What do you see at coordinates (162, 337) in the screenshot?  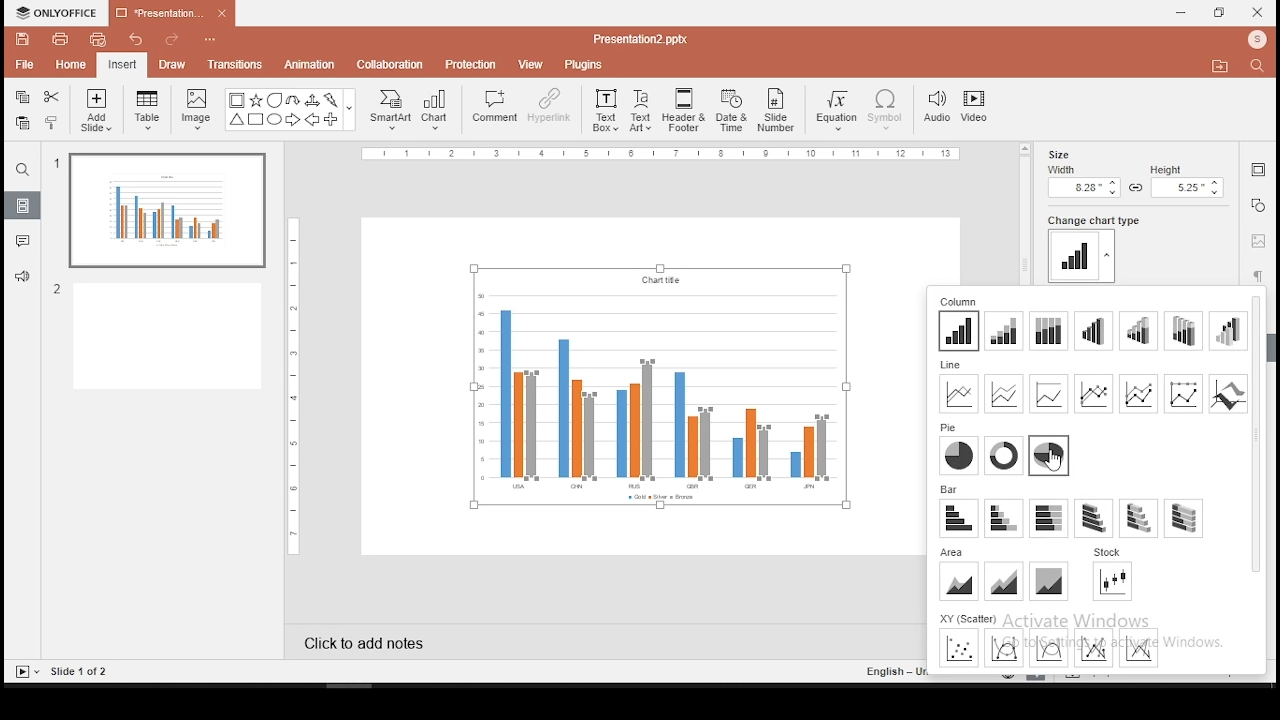 I see `slide 2` at bounding box center [162, 337].